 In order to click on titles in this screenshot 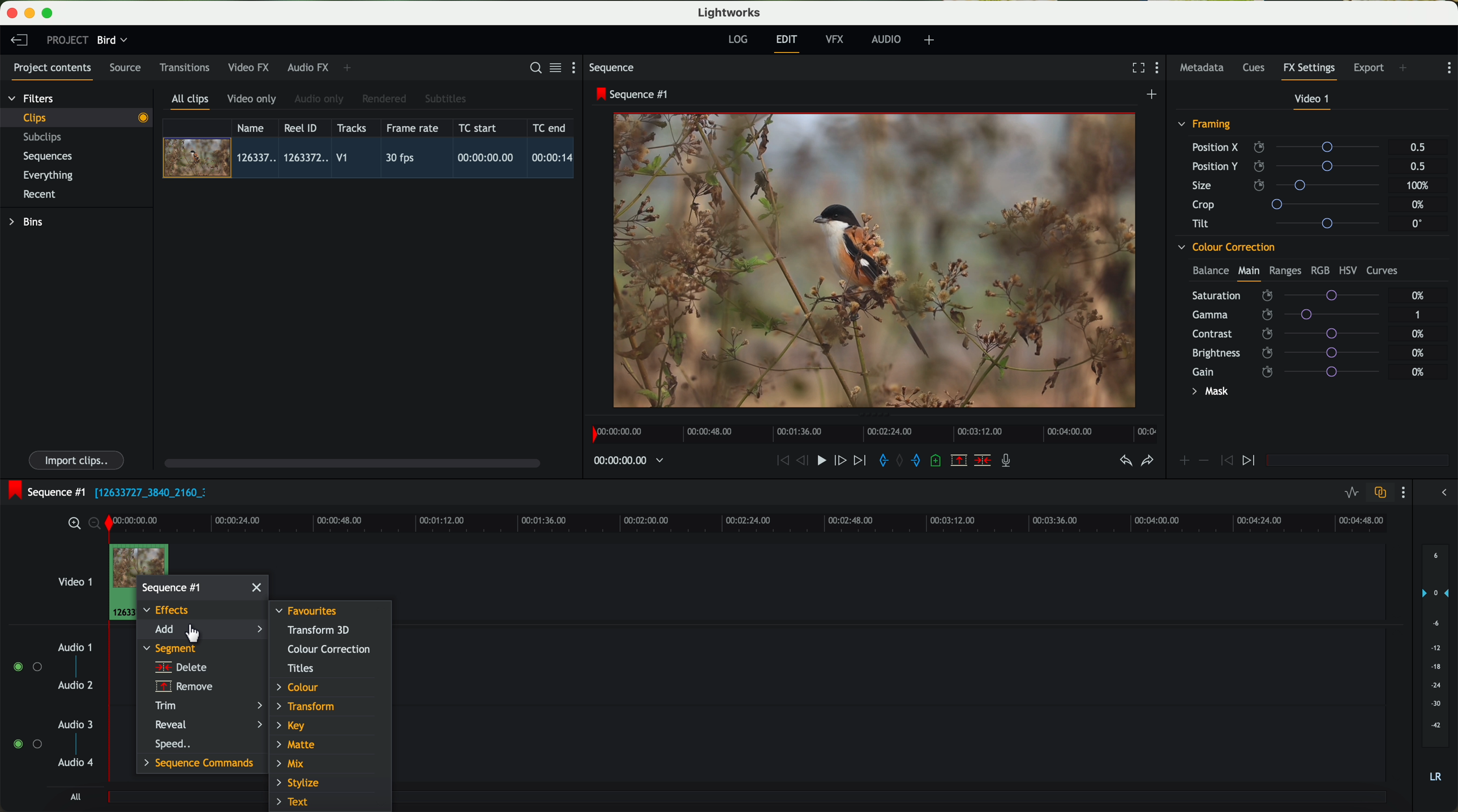, I will do `click(299, 668)`.